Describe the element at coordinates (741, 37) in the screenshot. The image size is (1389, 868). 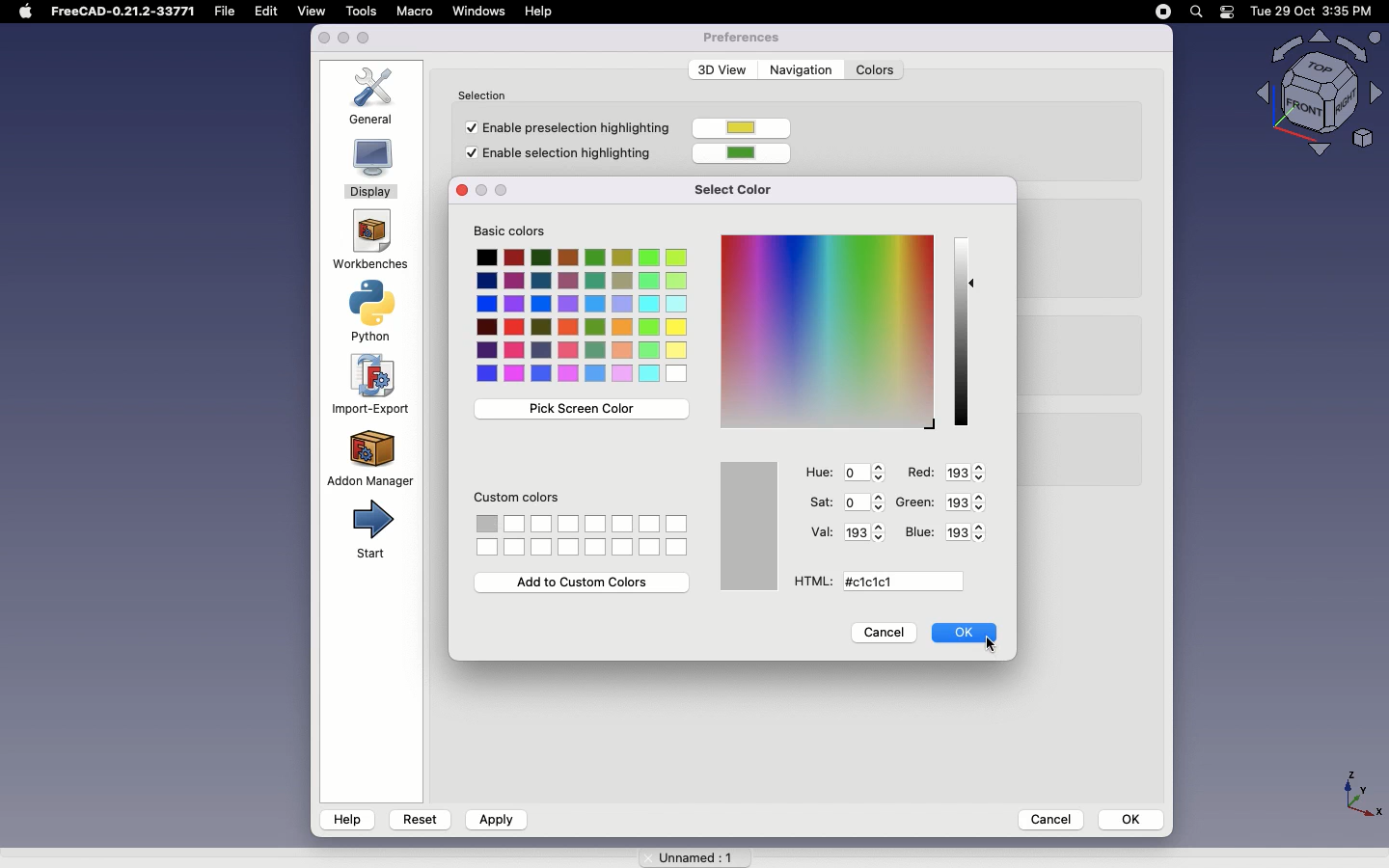
I see `Preferences` at that location.